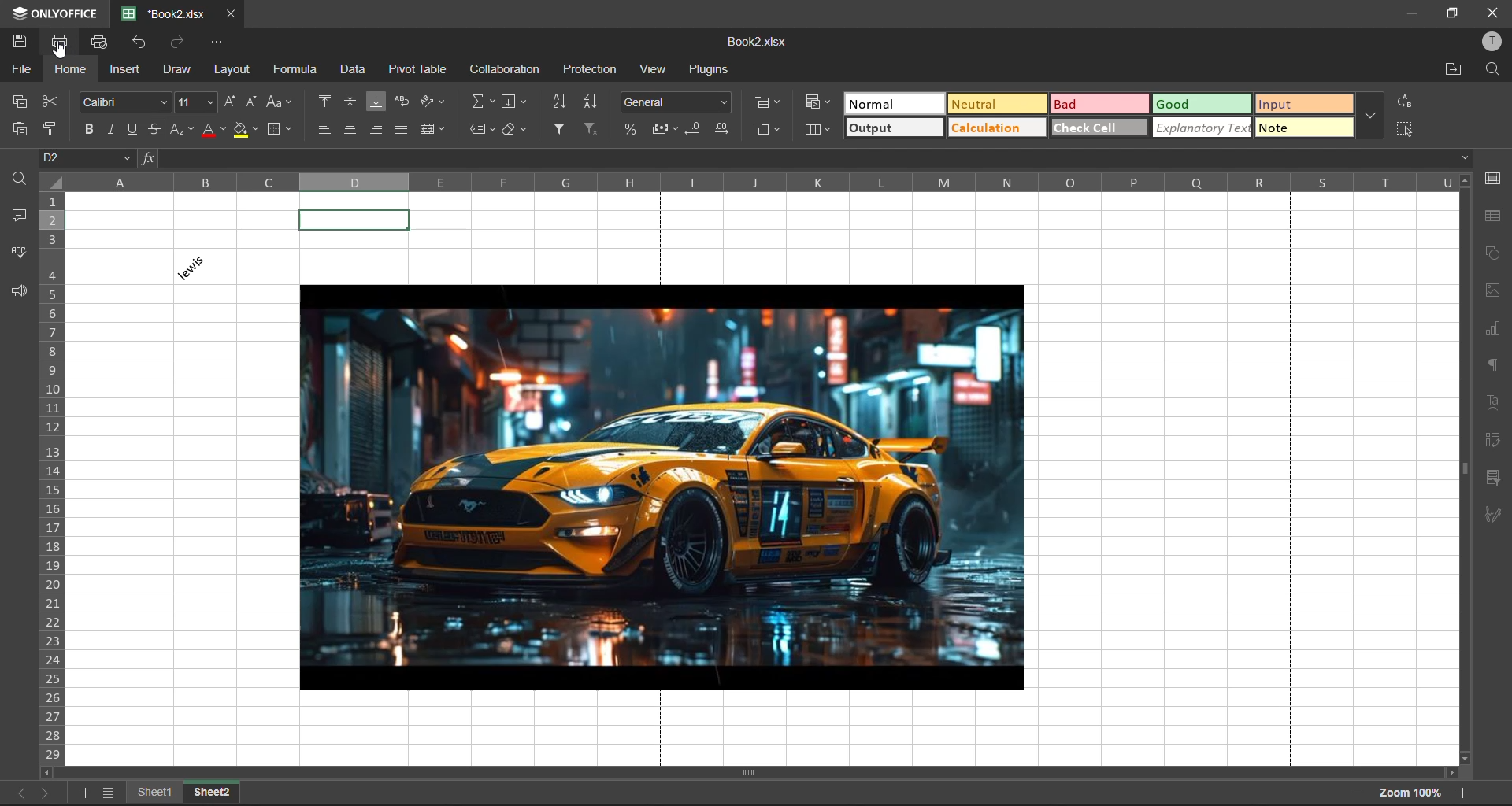  I want to click on sort descending, so click(589, 103).